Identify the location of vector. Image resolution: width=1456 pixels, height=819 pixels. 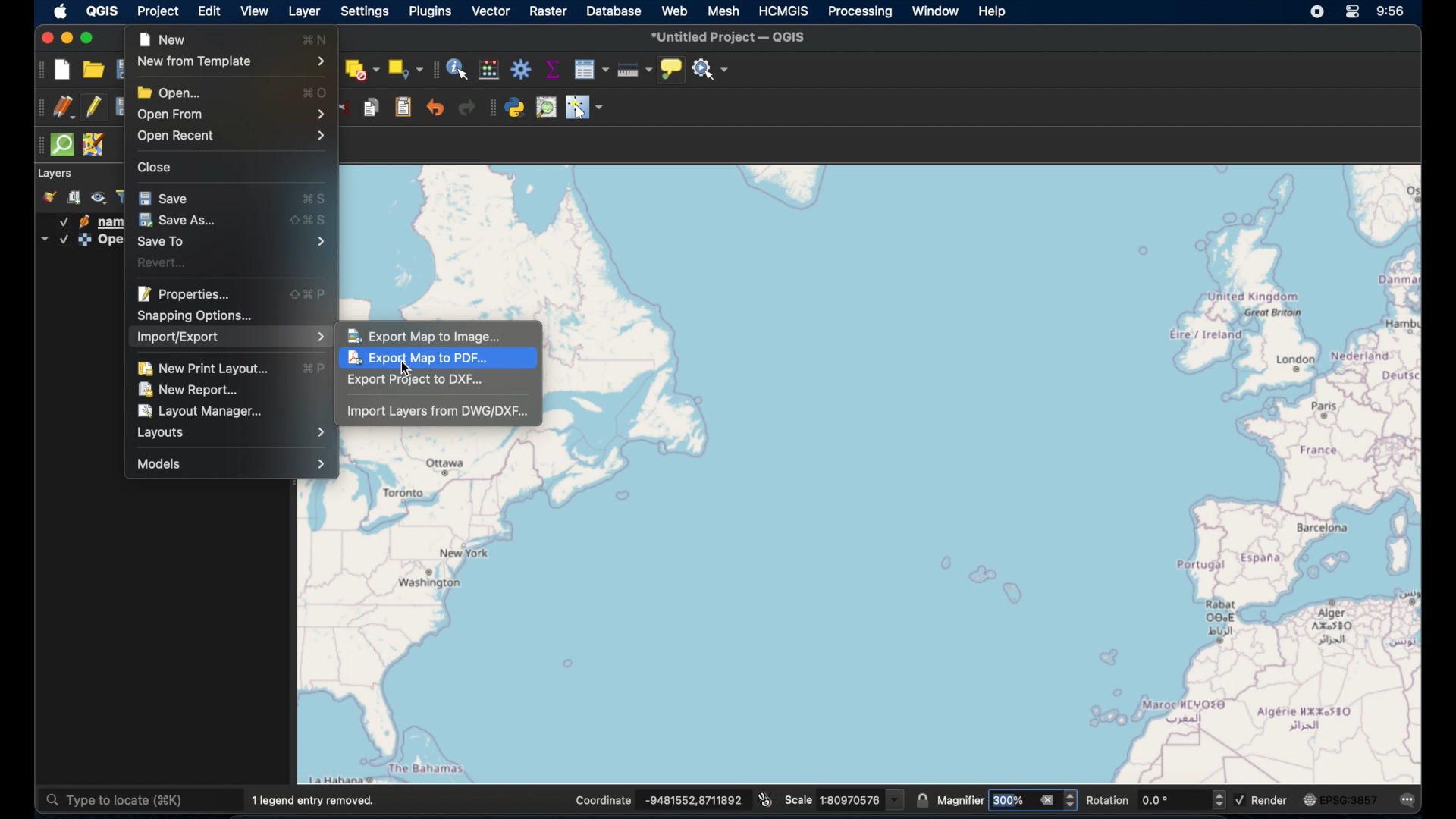
(491, 12).